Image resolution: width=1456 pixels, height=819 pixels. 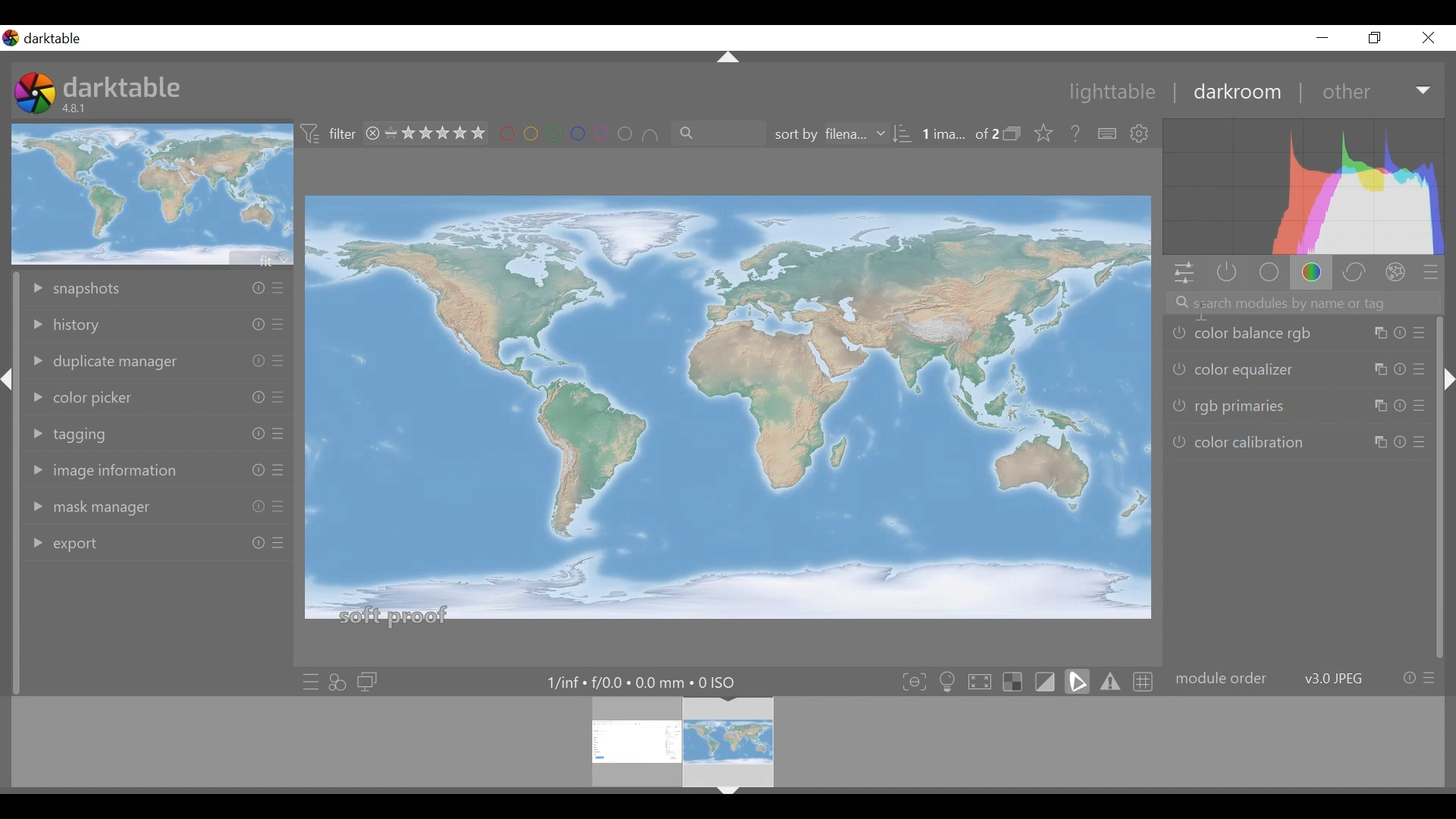 I want to click on image information, so click(x=105, y=471).